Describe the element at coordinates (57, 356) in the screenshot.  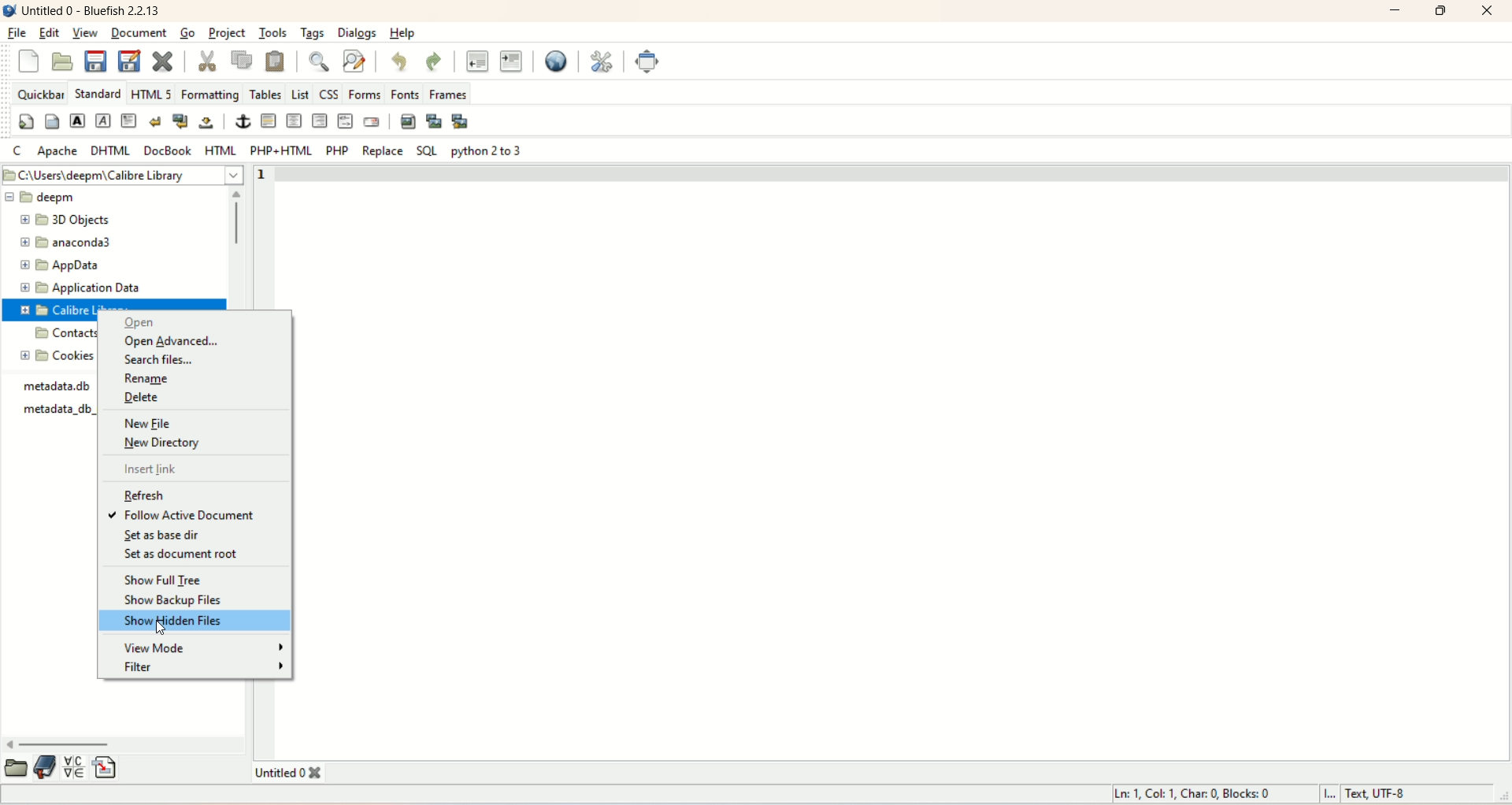
I see `cookies` at that location.